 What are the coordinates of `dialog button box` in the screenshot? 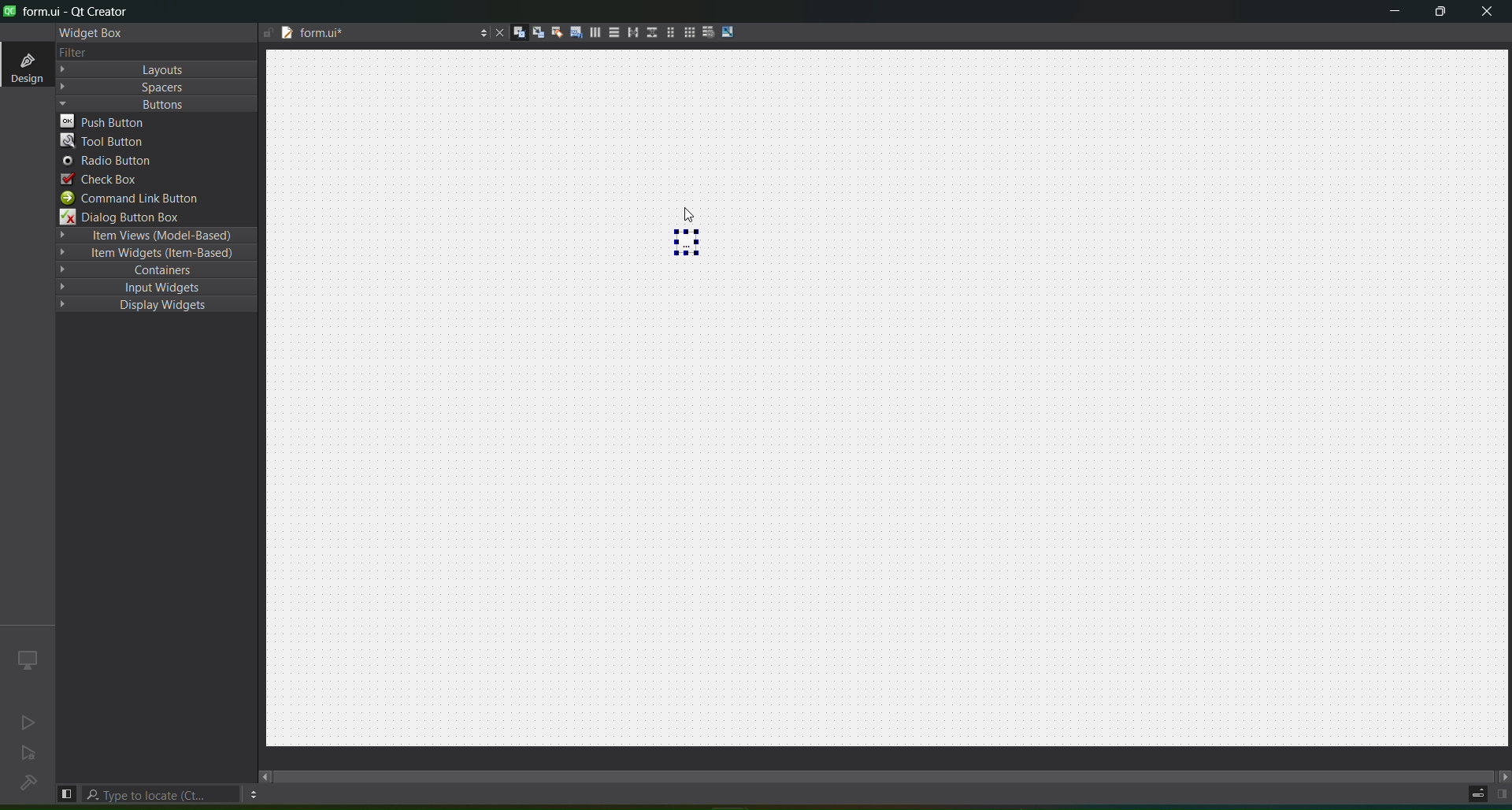 It's located at (151, 216).